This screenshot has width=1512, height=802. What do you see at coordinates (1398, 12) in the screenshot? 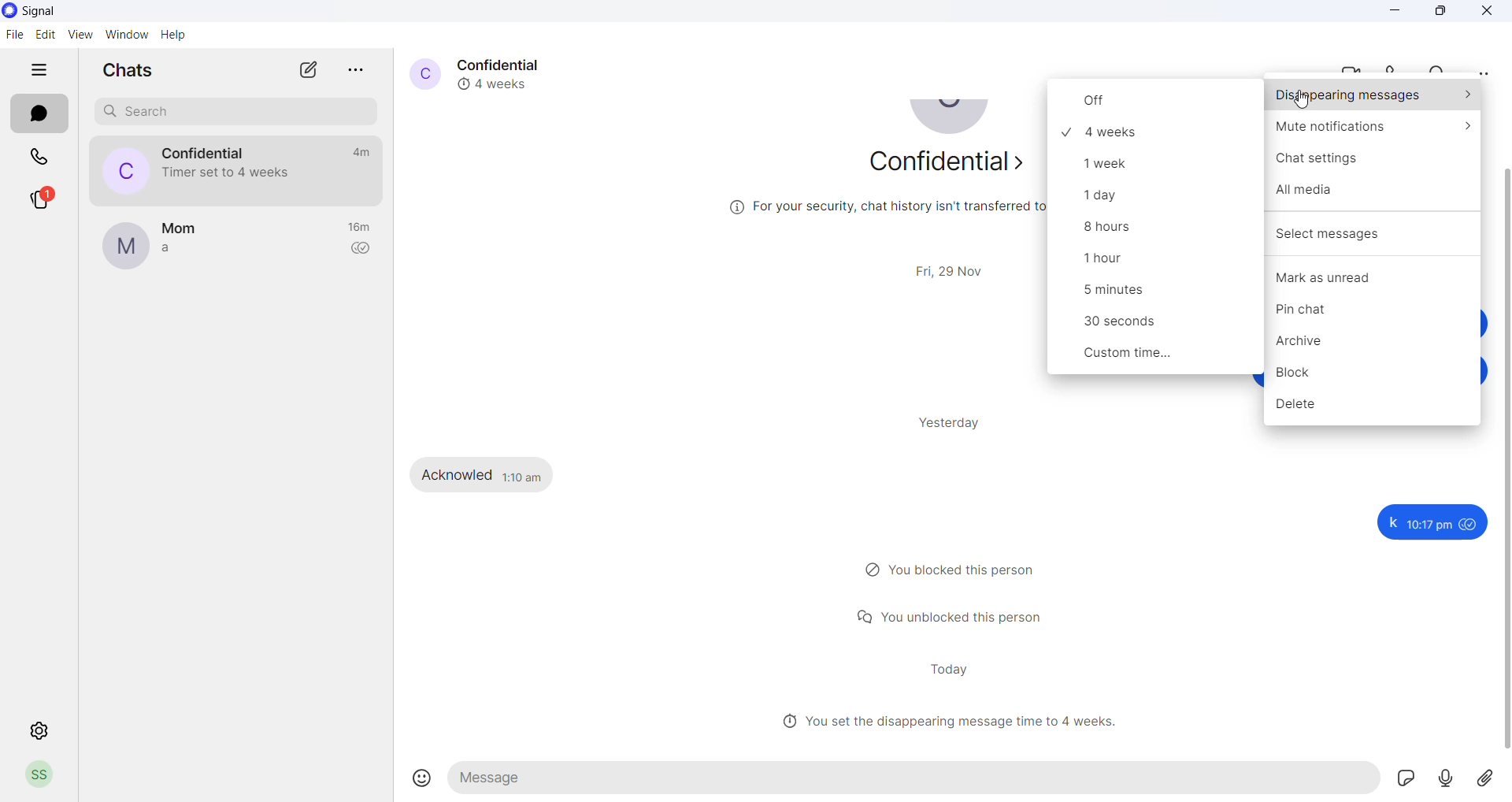
I see `minimize` at bounding box center [1398, 12].